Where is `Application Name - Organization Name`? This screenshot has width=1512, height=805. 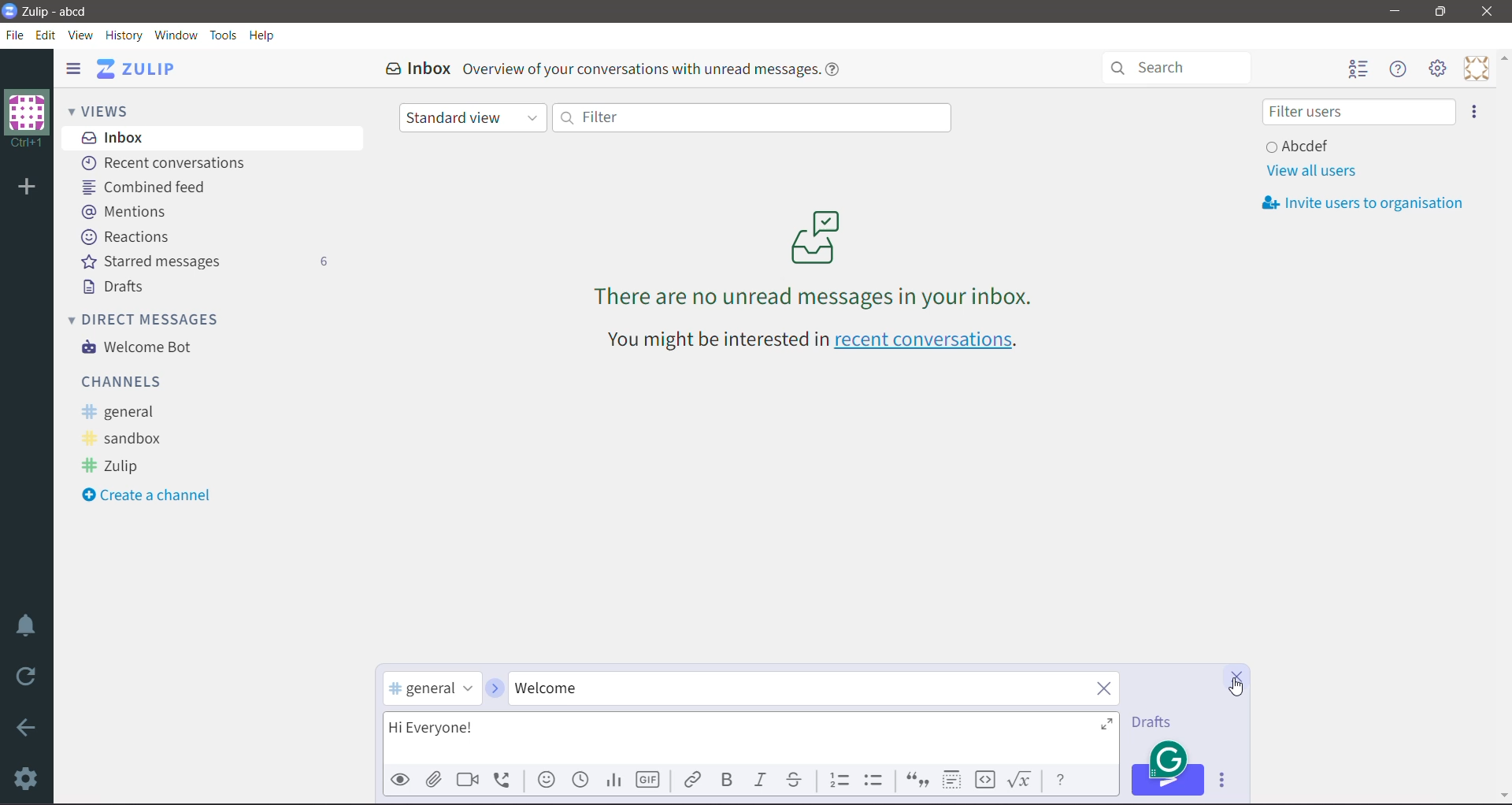 Application Name - Organization Name is located at coordinates (65, 11).